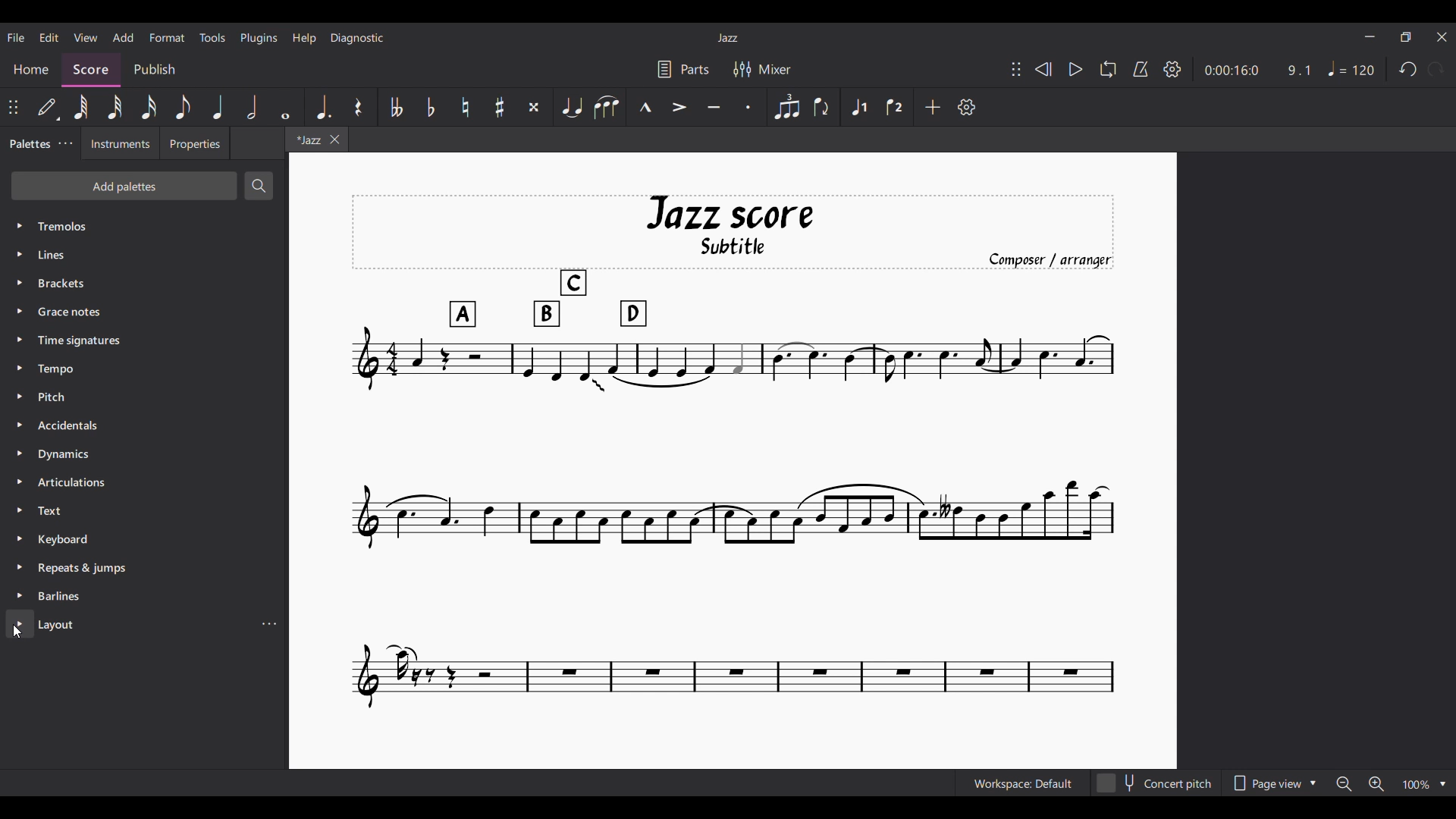 The image size is (1456, 819). Describe the element at coordinates (645, 107) in the screenshot. I see `Marcato` at that location.